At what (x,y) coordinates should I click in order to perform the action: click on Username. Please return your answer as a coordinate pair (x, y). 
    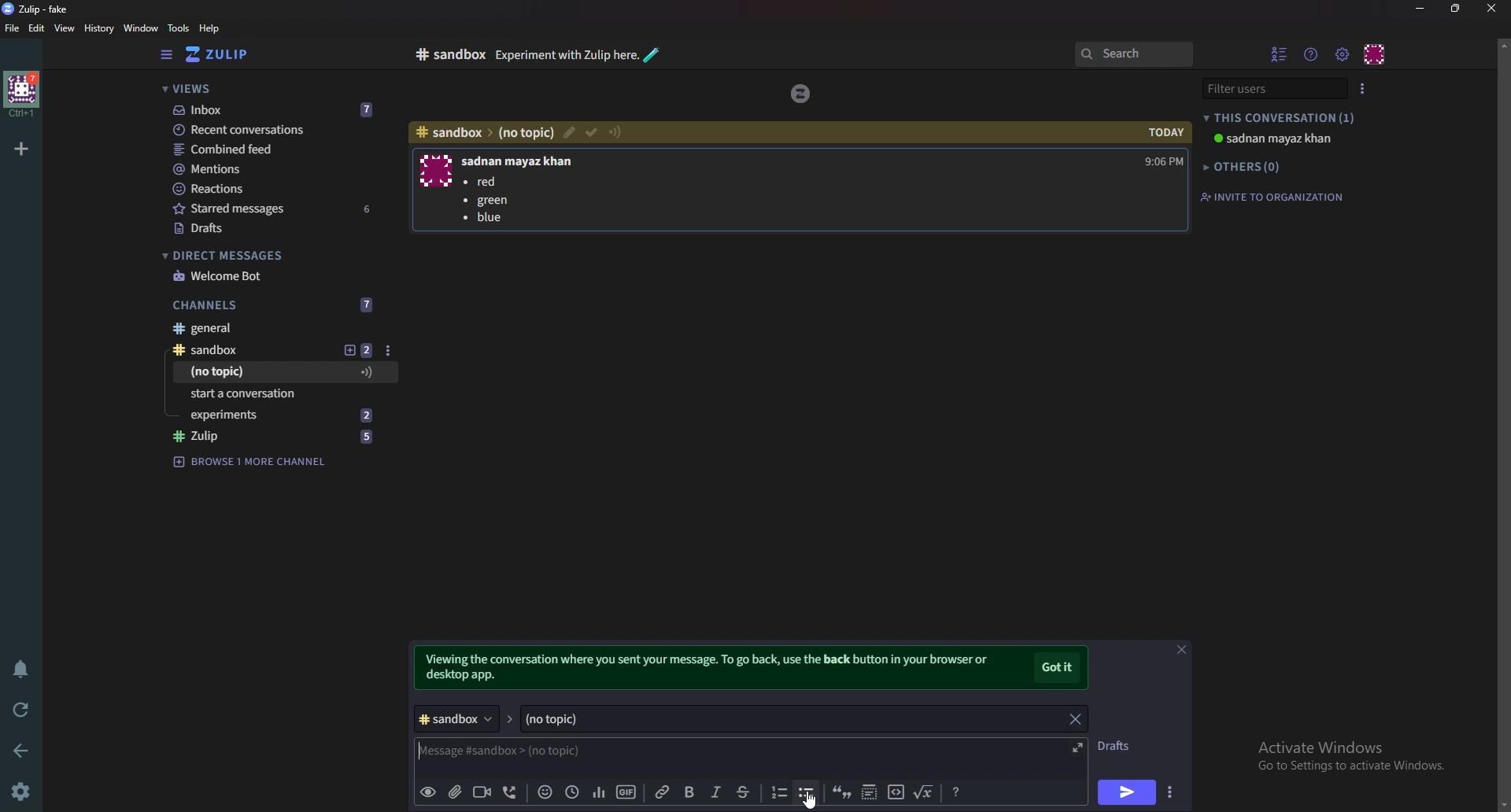
    Looking at the image, I should click on (523, 162).